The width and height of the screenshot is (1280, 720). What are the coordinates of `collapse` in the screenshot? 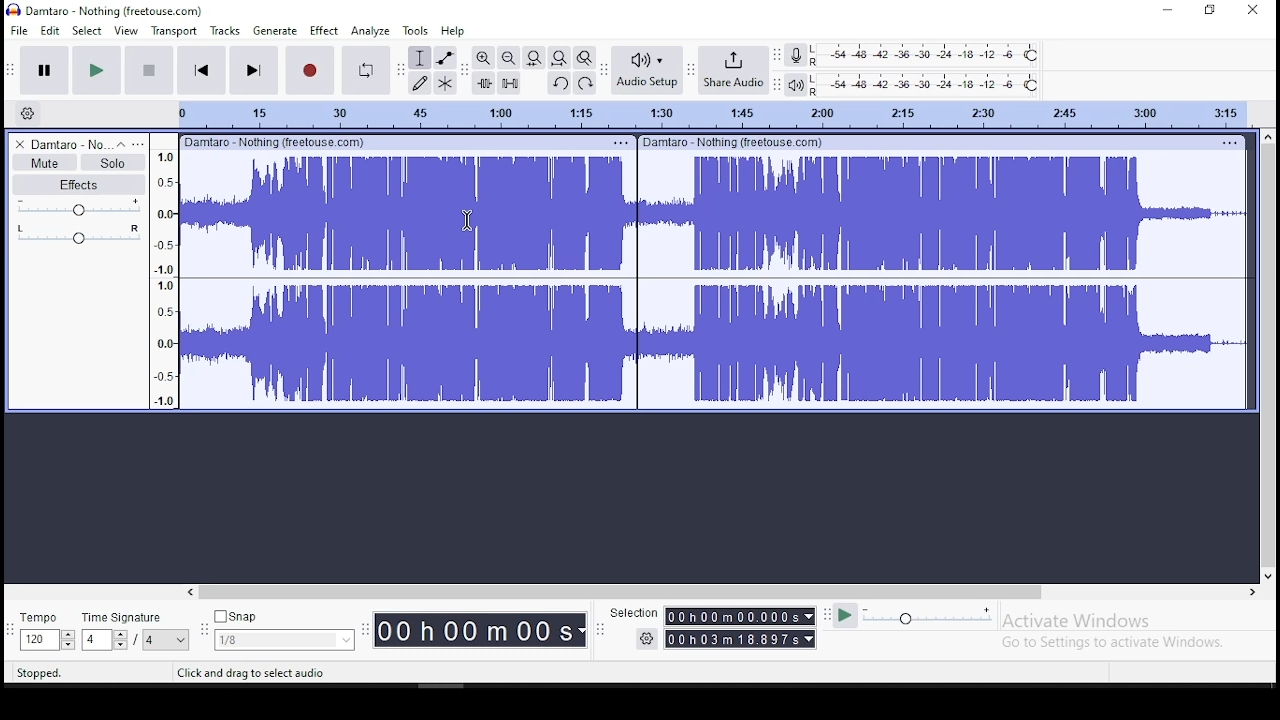 It's located at (121, 144).